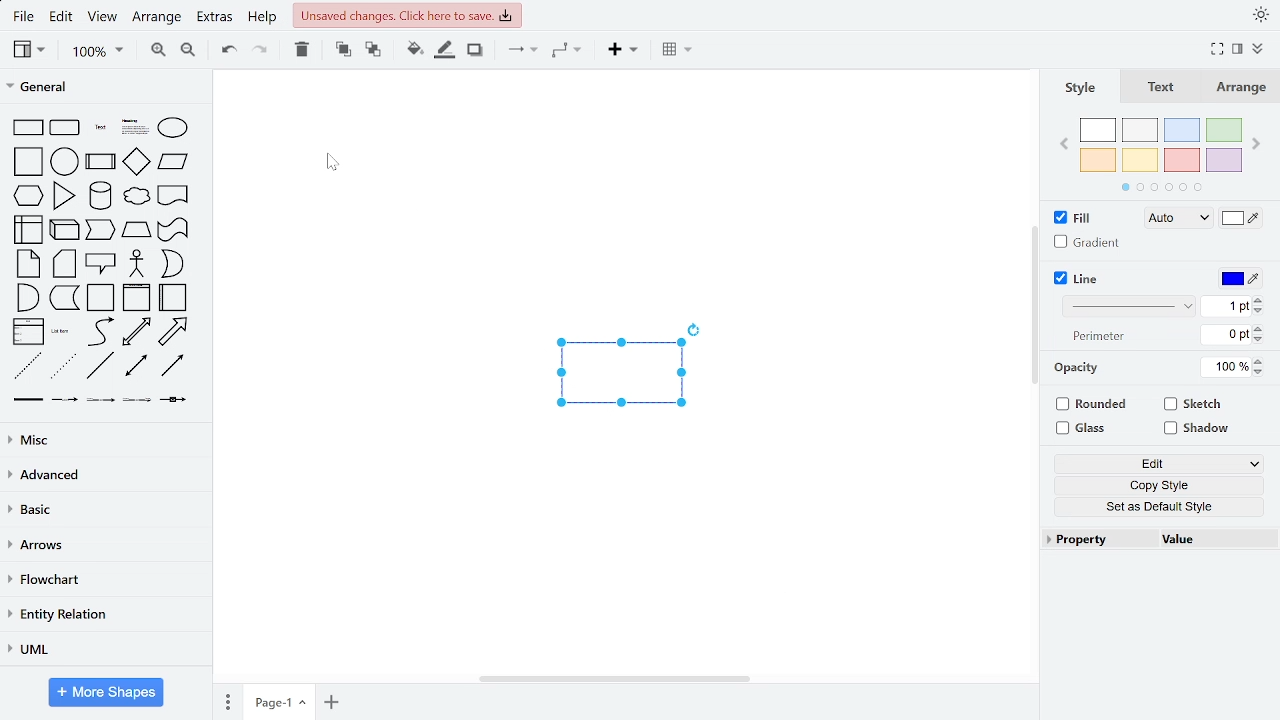 The width and height of the screenshot is (1280, 720). I want to click on increase line width, so click(1258, 299).